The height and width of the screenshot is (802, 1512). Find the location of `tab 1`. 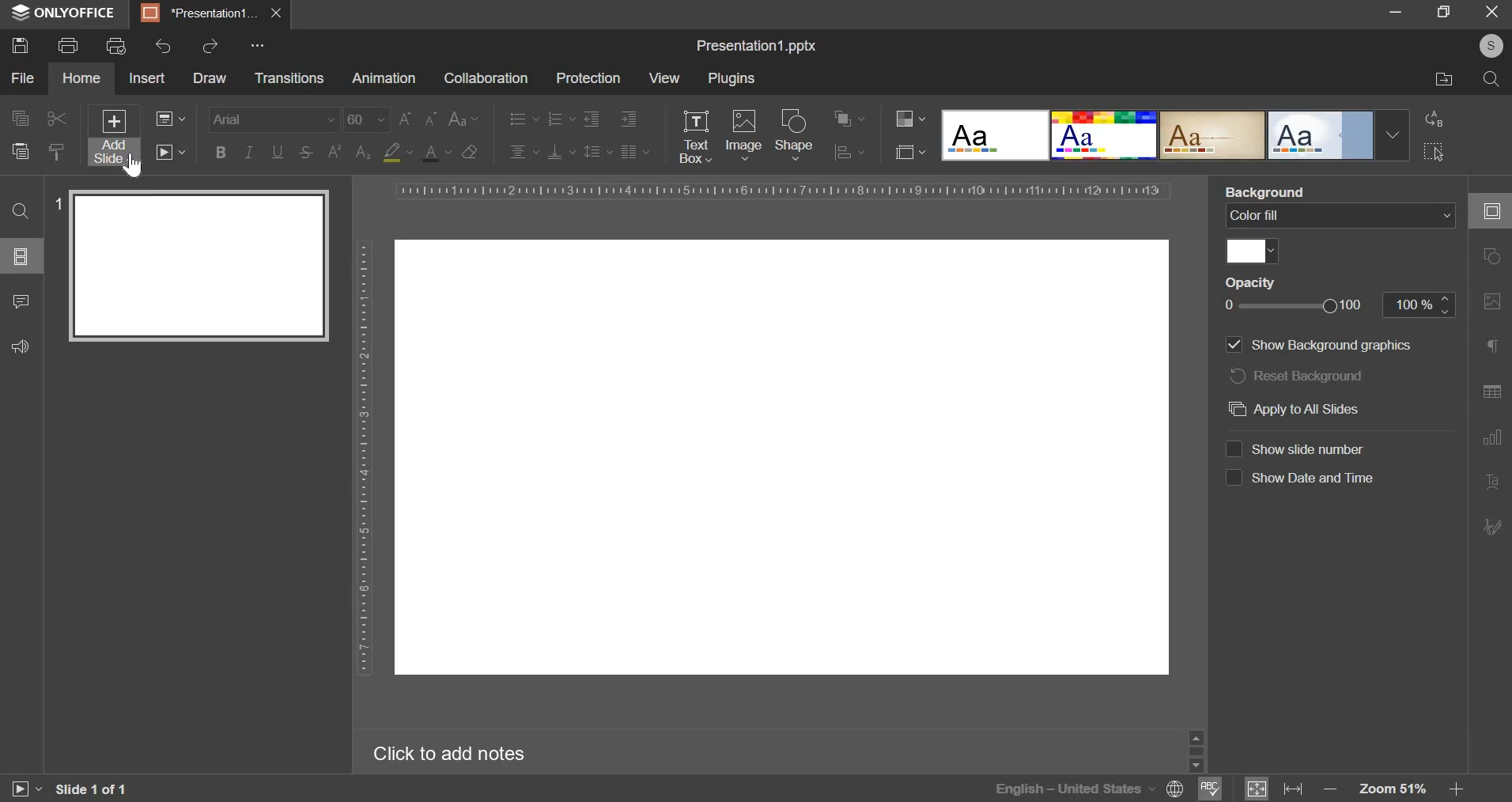

tab 1 is located at coordinates (201, 13).